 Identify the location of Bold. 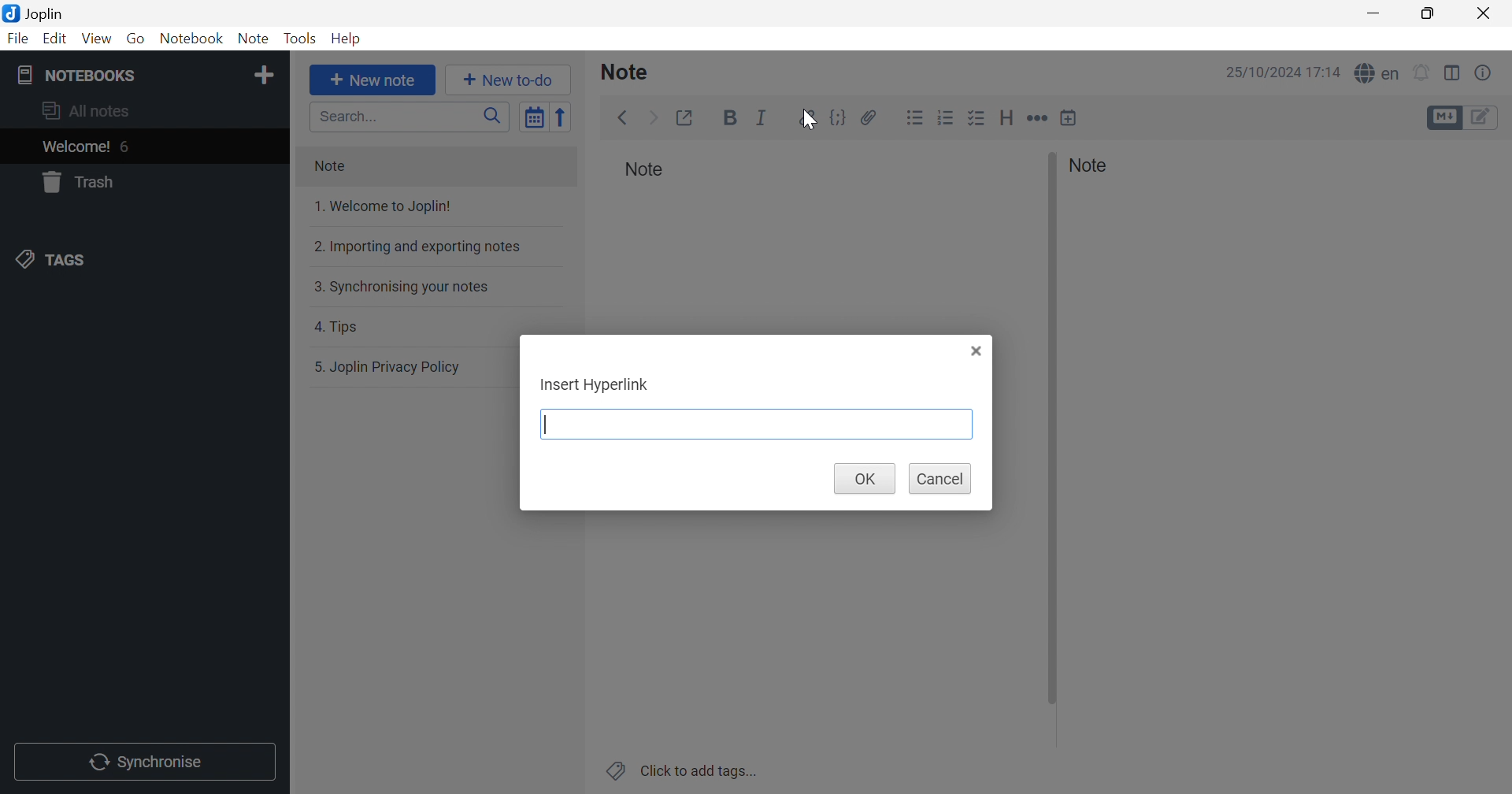
(730, 120).